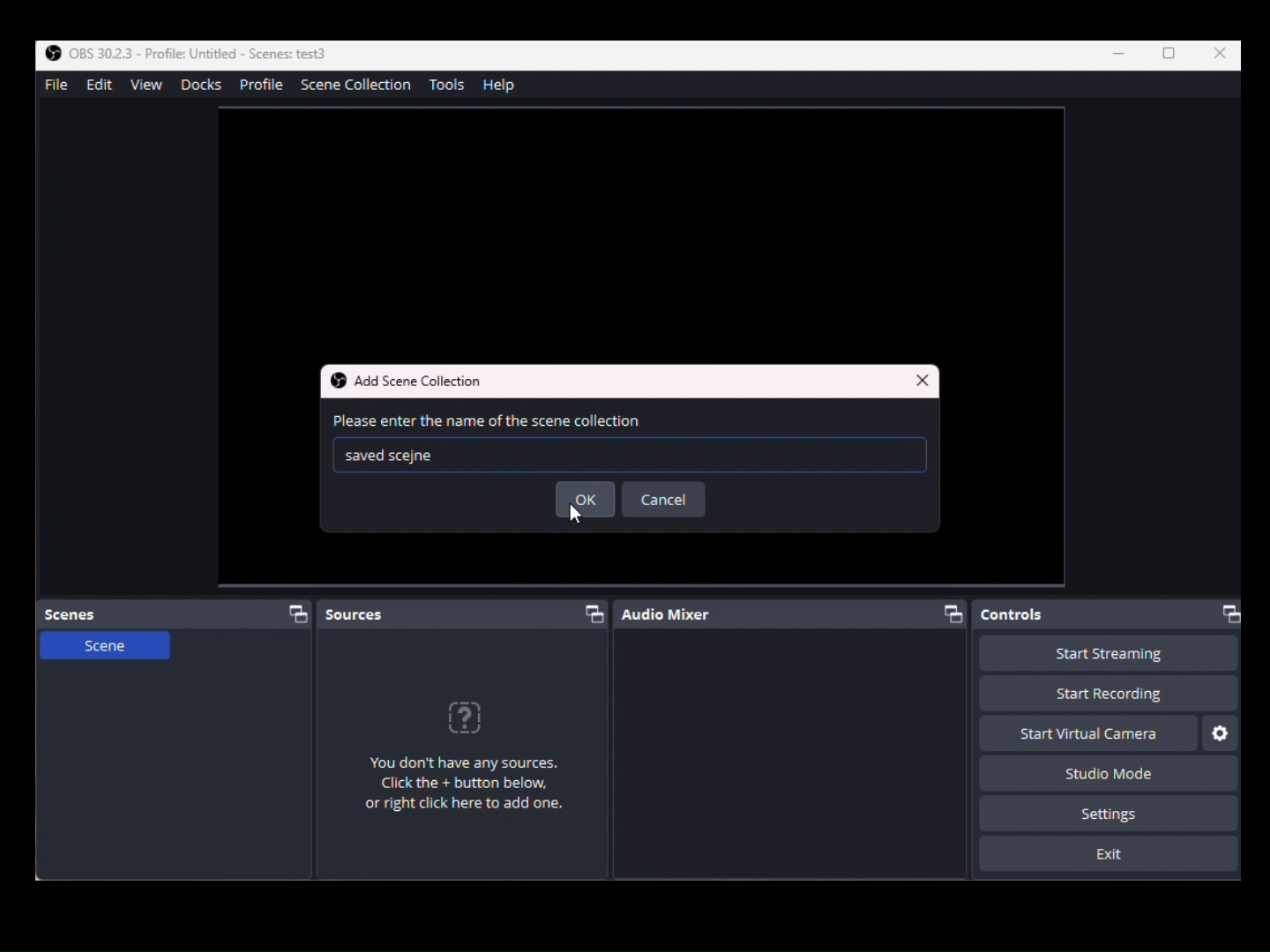 This screenshot has width=1270, height=952. I want to click on Settings, so click(1221, 733).